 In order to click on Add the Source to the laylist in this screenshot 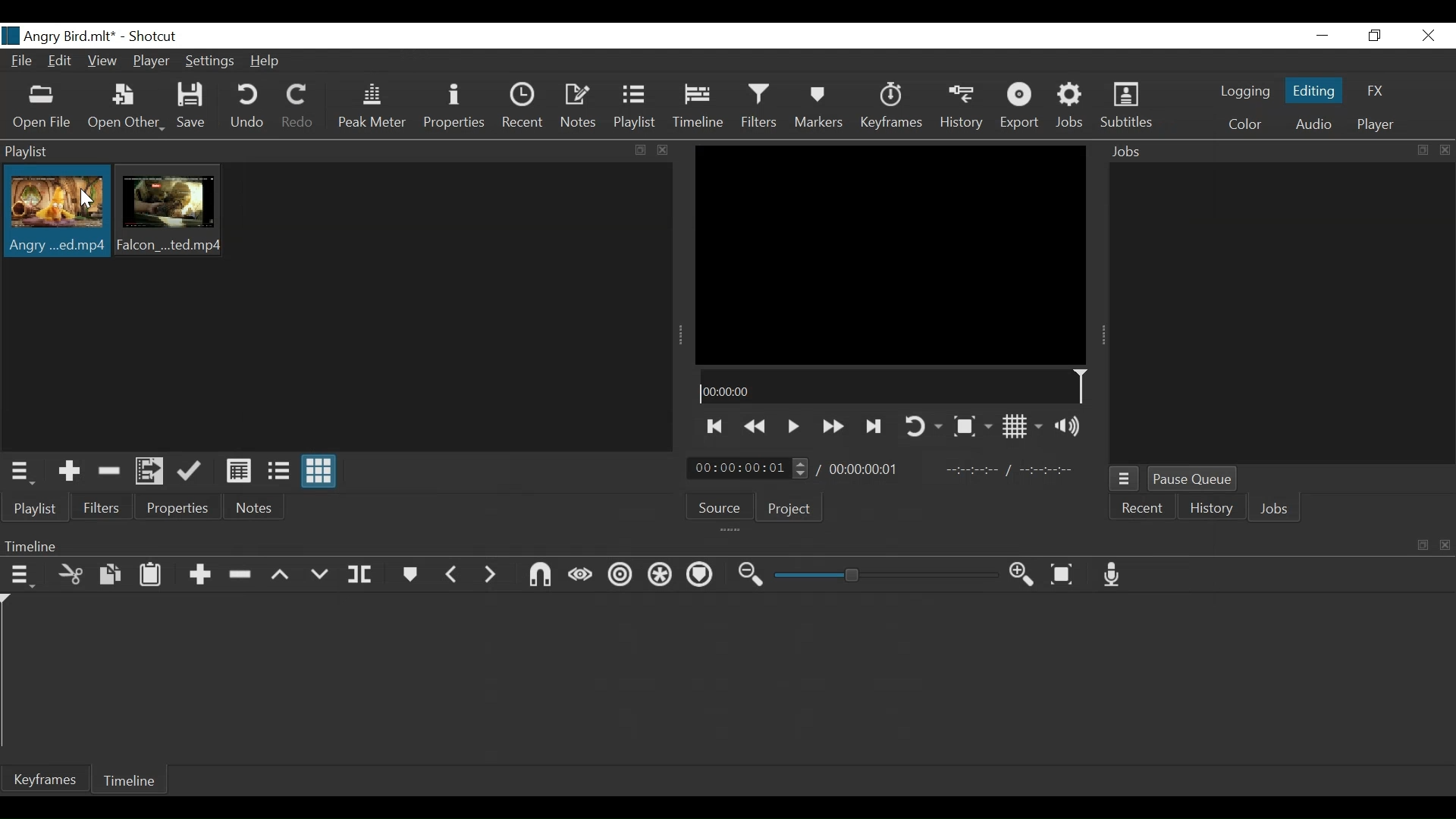, I will do `click(70, 472)`.